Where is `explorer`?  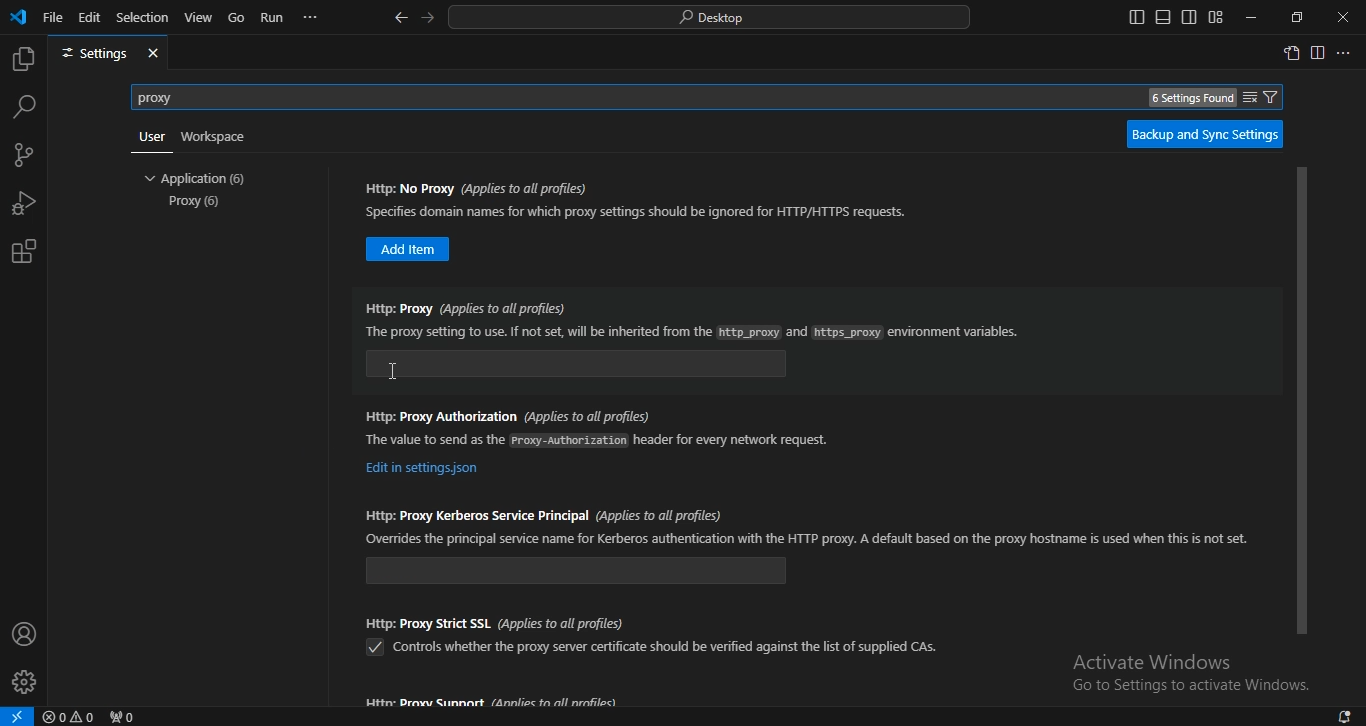
explorer is located at coordinates (23, 58).